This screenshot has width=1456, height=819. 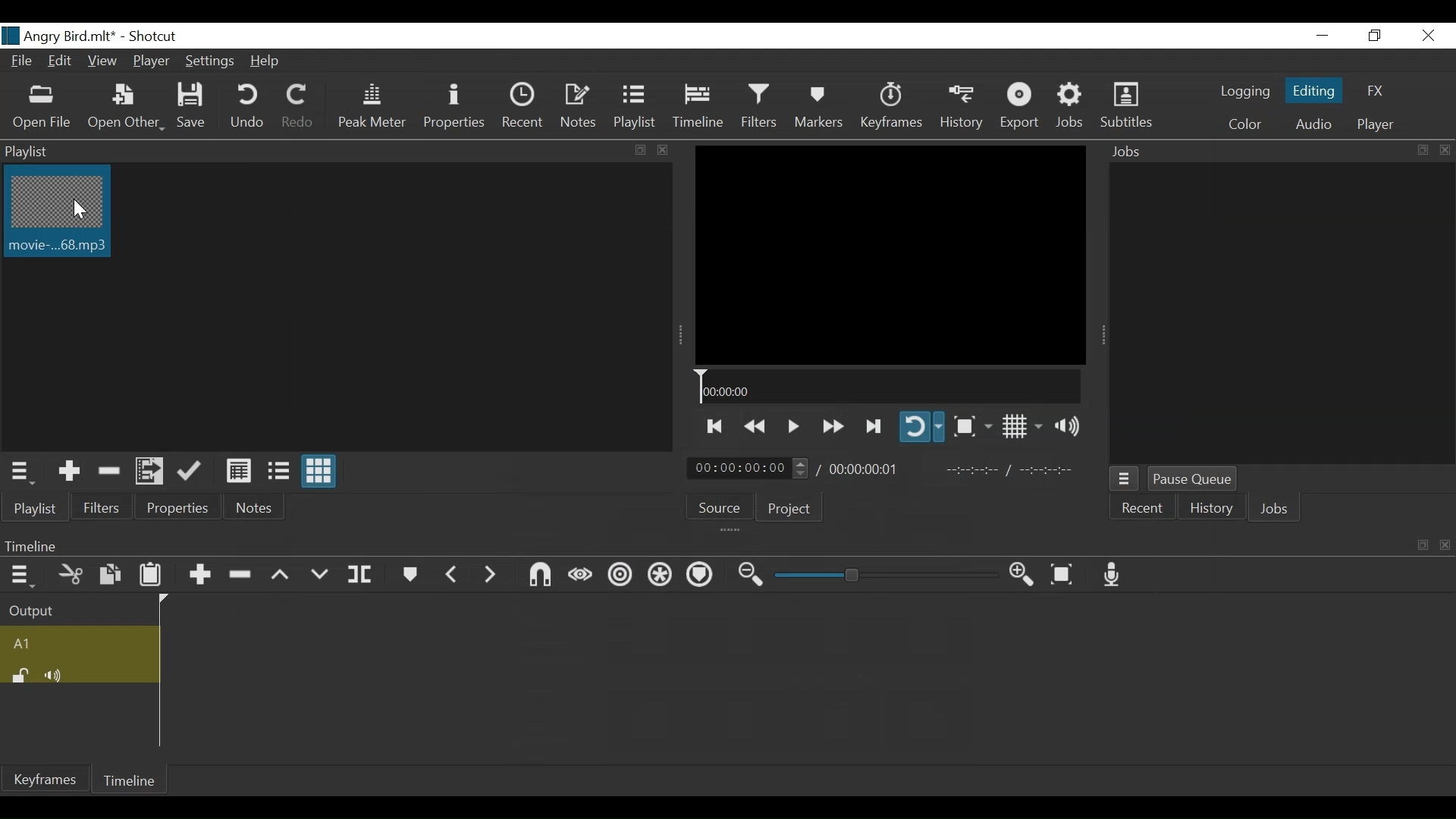 I want to click on Peak Meter, so click(x=372, y=106).